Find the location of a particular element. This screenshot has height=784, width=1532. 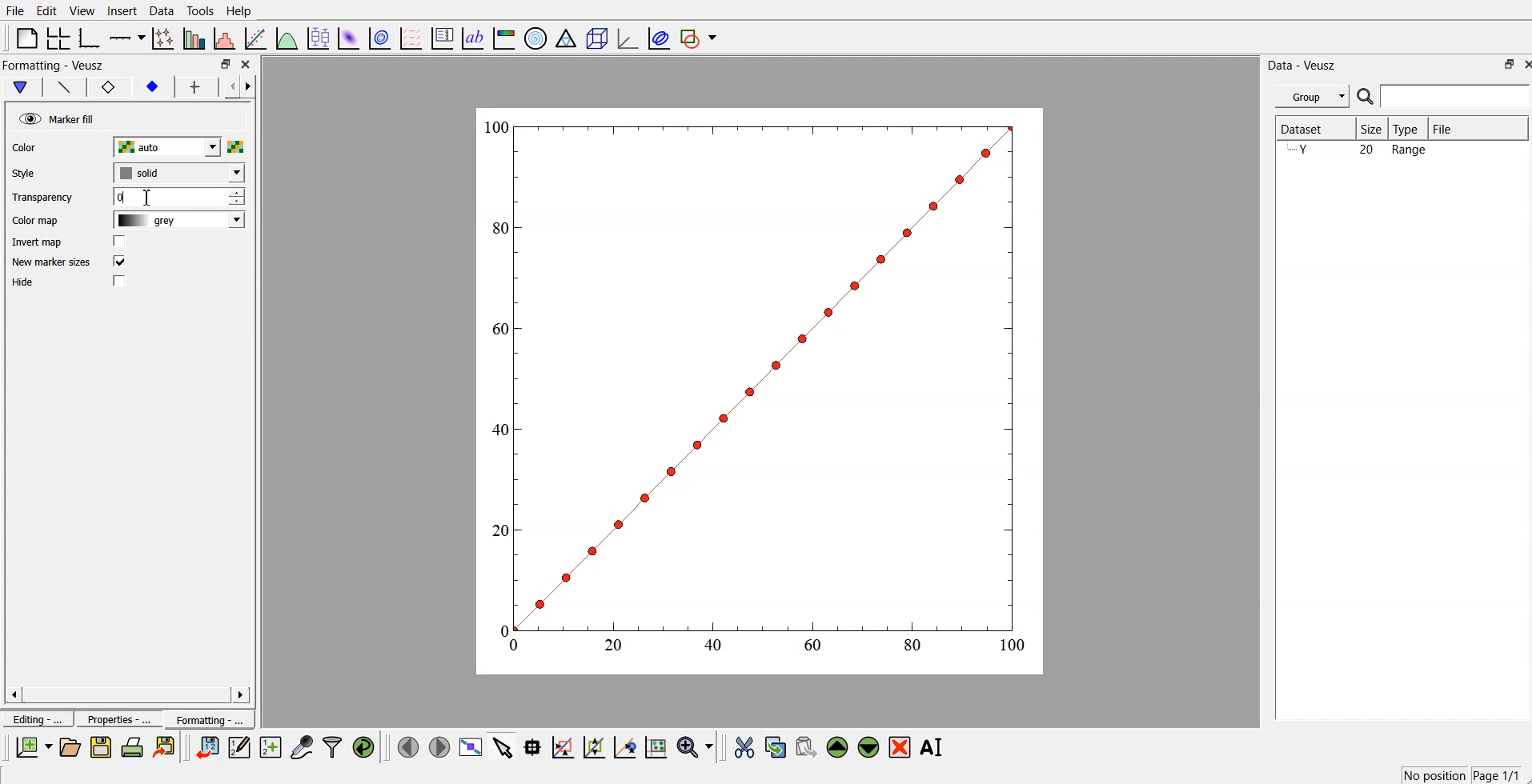

auto is located at coordinates (177, 147).